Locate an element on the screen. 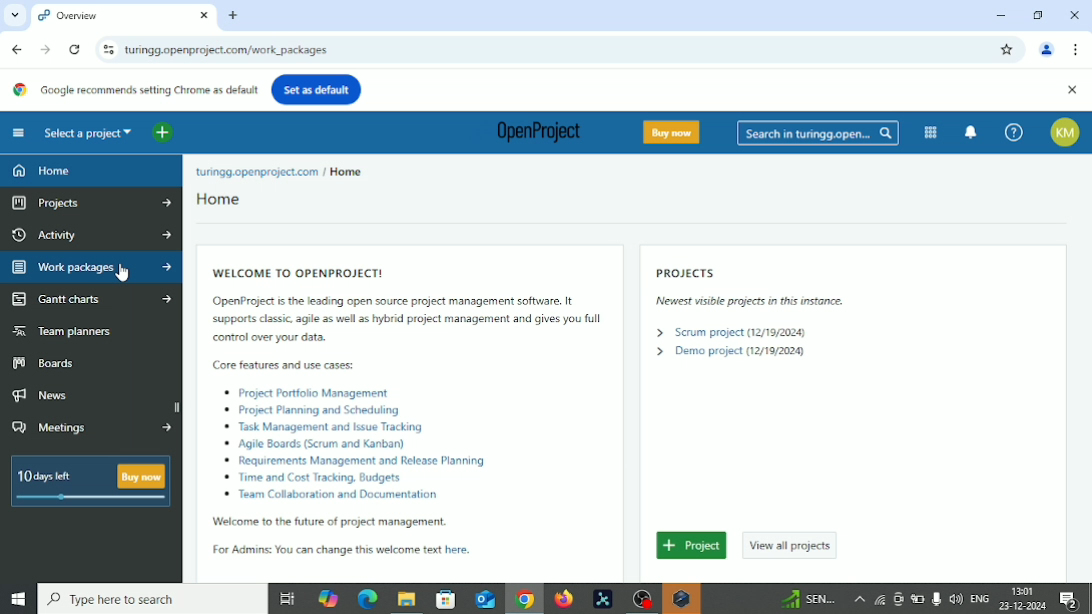  Minimize is located at coordinates (999, 15).